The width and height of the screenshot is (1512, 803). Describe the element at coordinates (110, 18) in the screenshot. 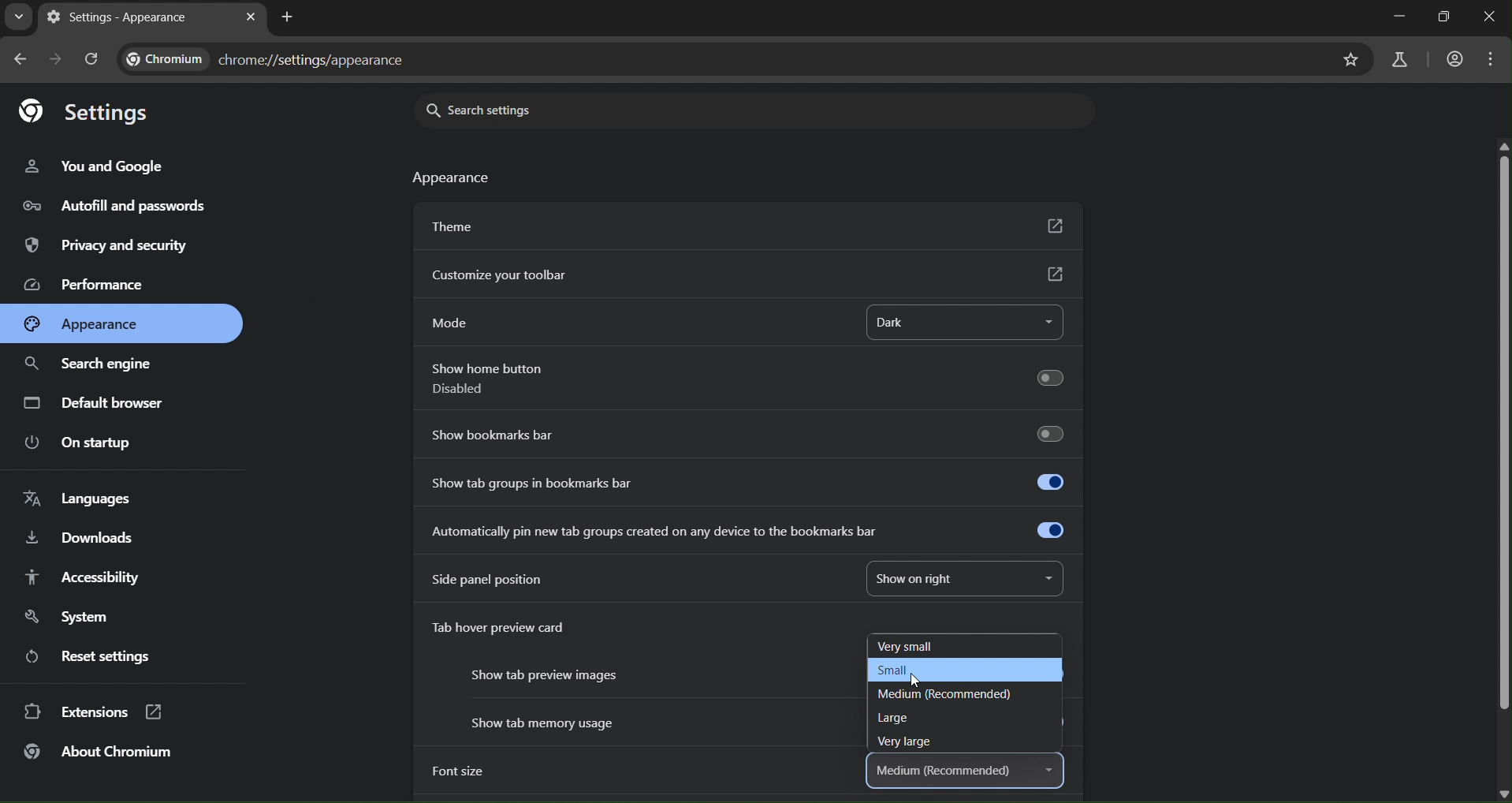

I see `current tab` at that location.